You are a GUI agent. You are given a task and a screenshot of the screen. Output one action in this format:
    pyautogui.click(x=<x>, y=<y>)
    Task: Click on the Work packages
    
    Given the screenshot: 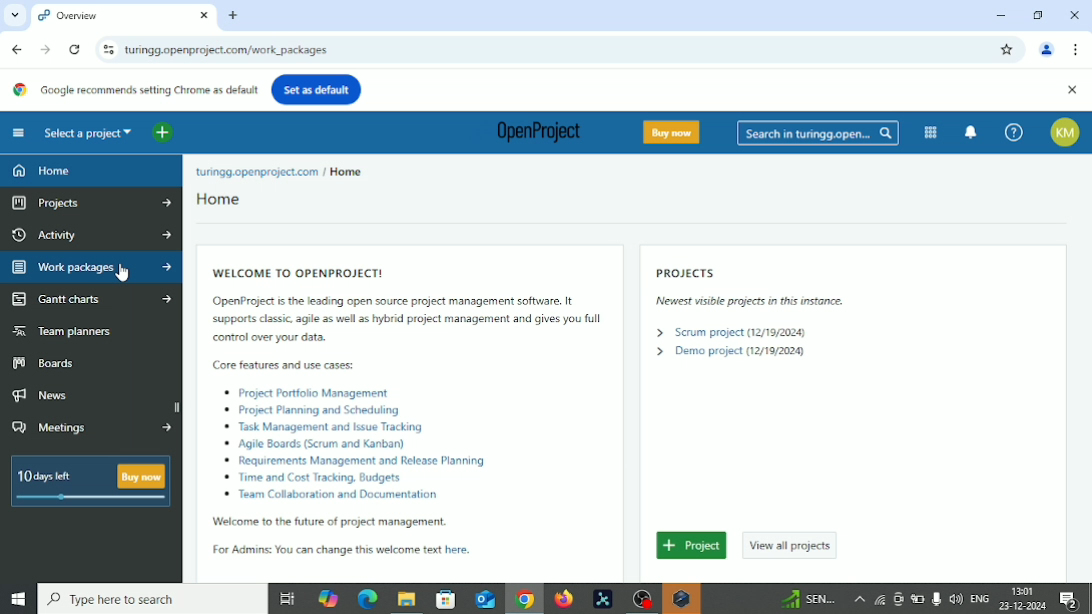 What is the action you would take?
    pyautogui.click(x=90, y=267)
    